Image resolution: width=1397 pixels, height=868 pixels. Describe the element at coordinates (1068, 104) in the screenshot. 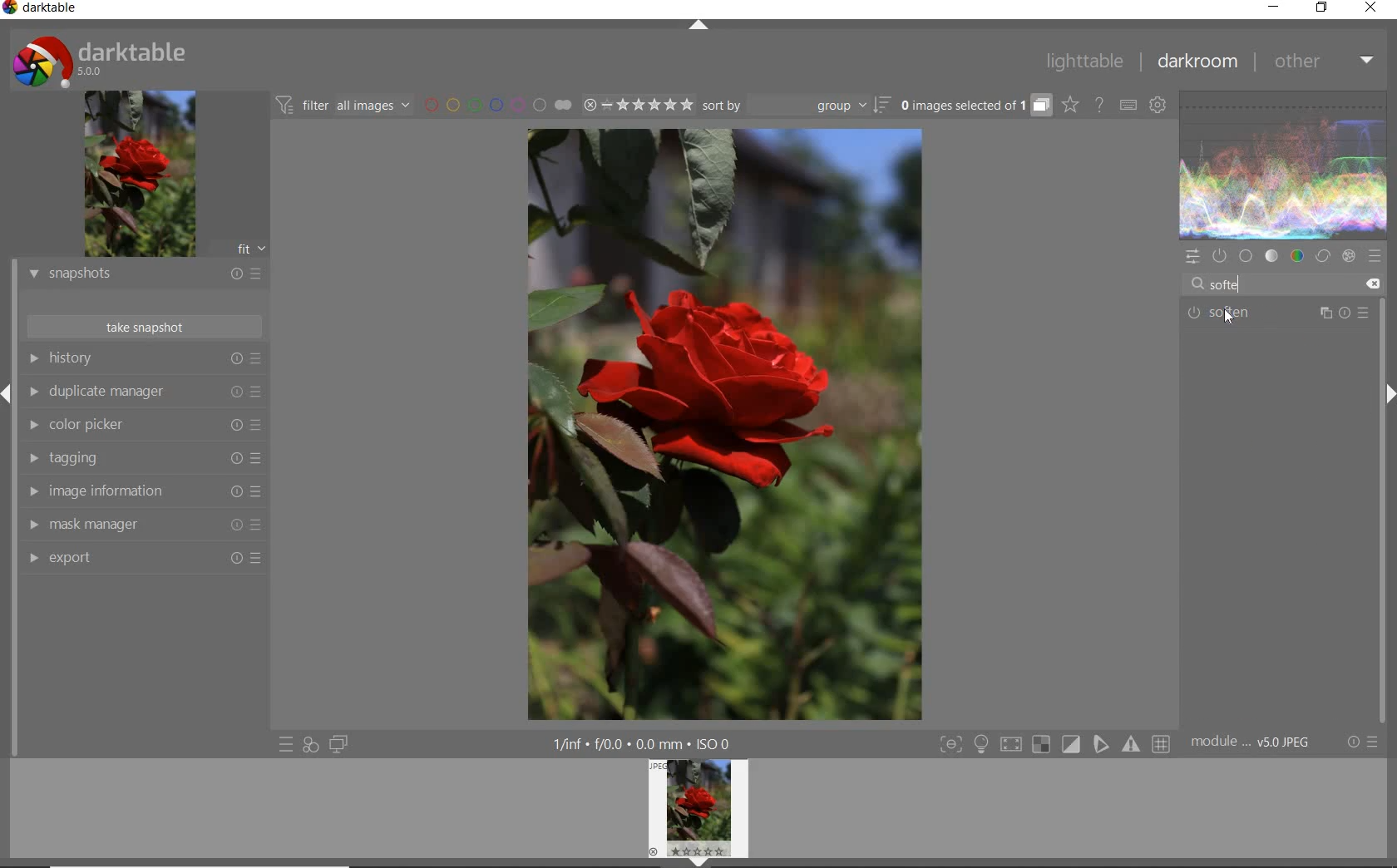

I see `click to change overlays on thumbnails` at that location.